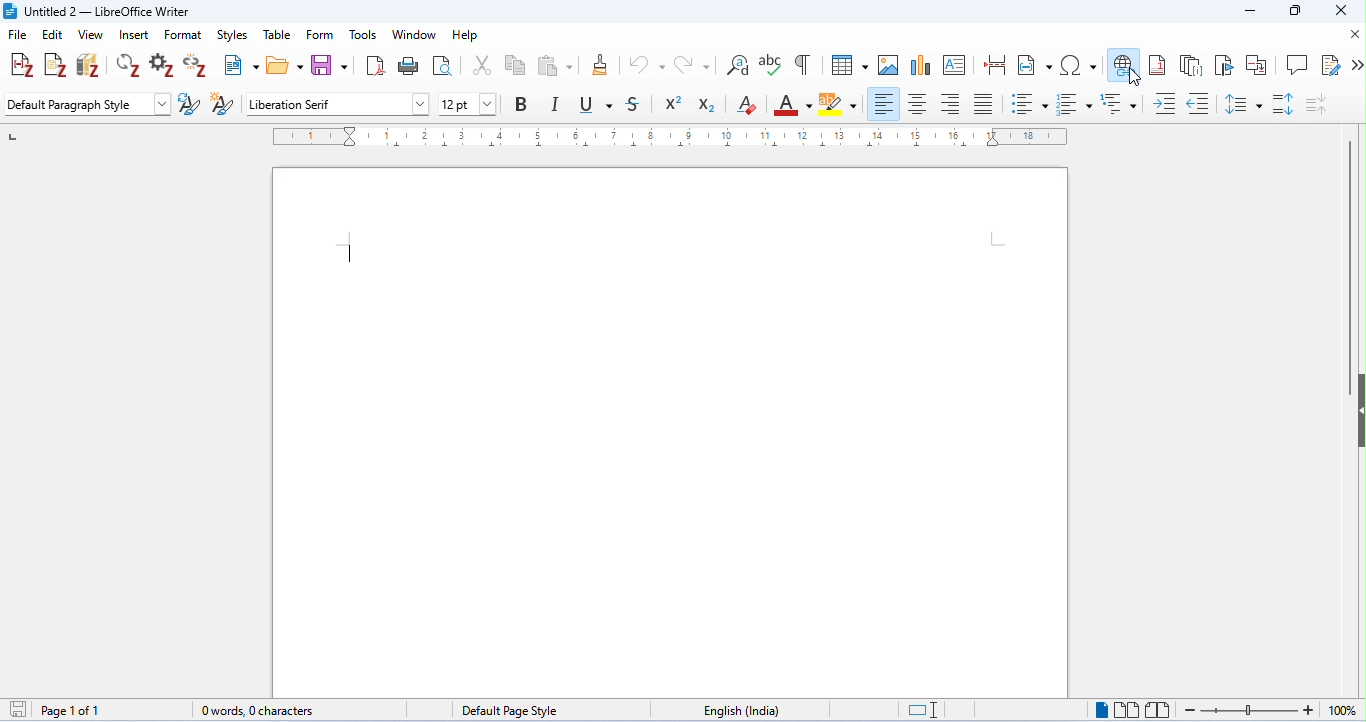 Image resolution: width=1366 pixels, height=722 pixels. I want to click on styles, so click(232, 35).